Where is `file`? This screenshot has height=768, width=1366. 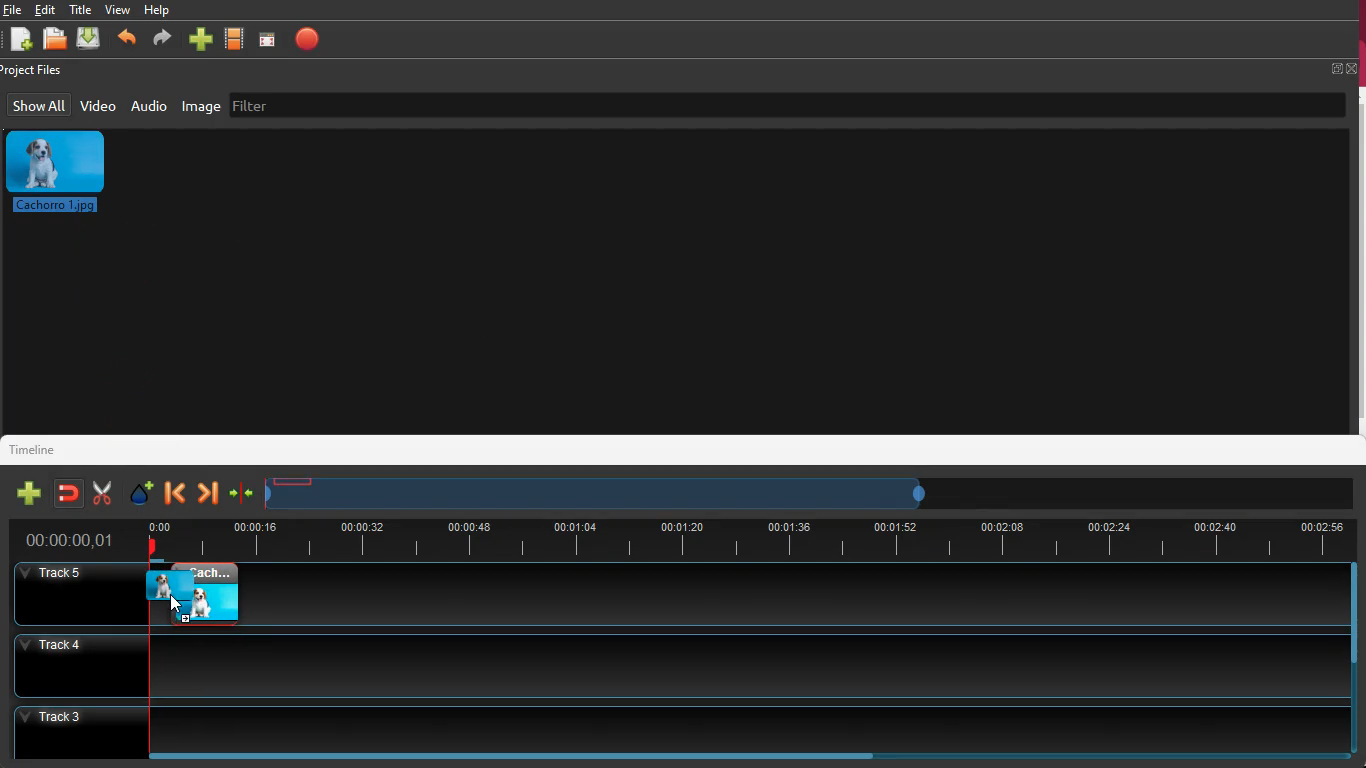
file is located at coordinates (13, 10).